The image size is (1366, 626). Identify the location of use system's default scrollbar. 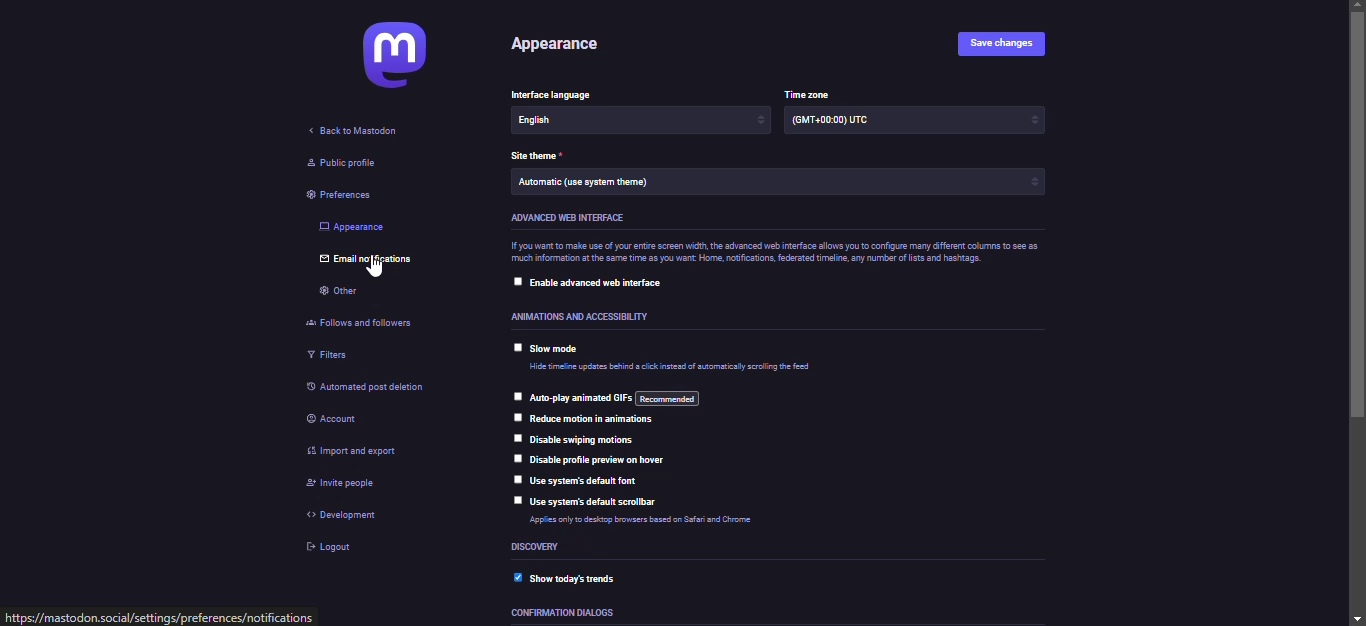
(596, 502).